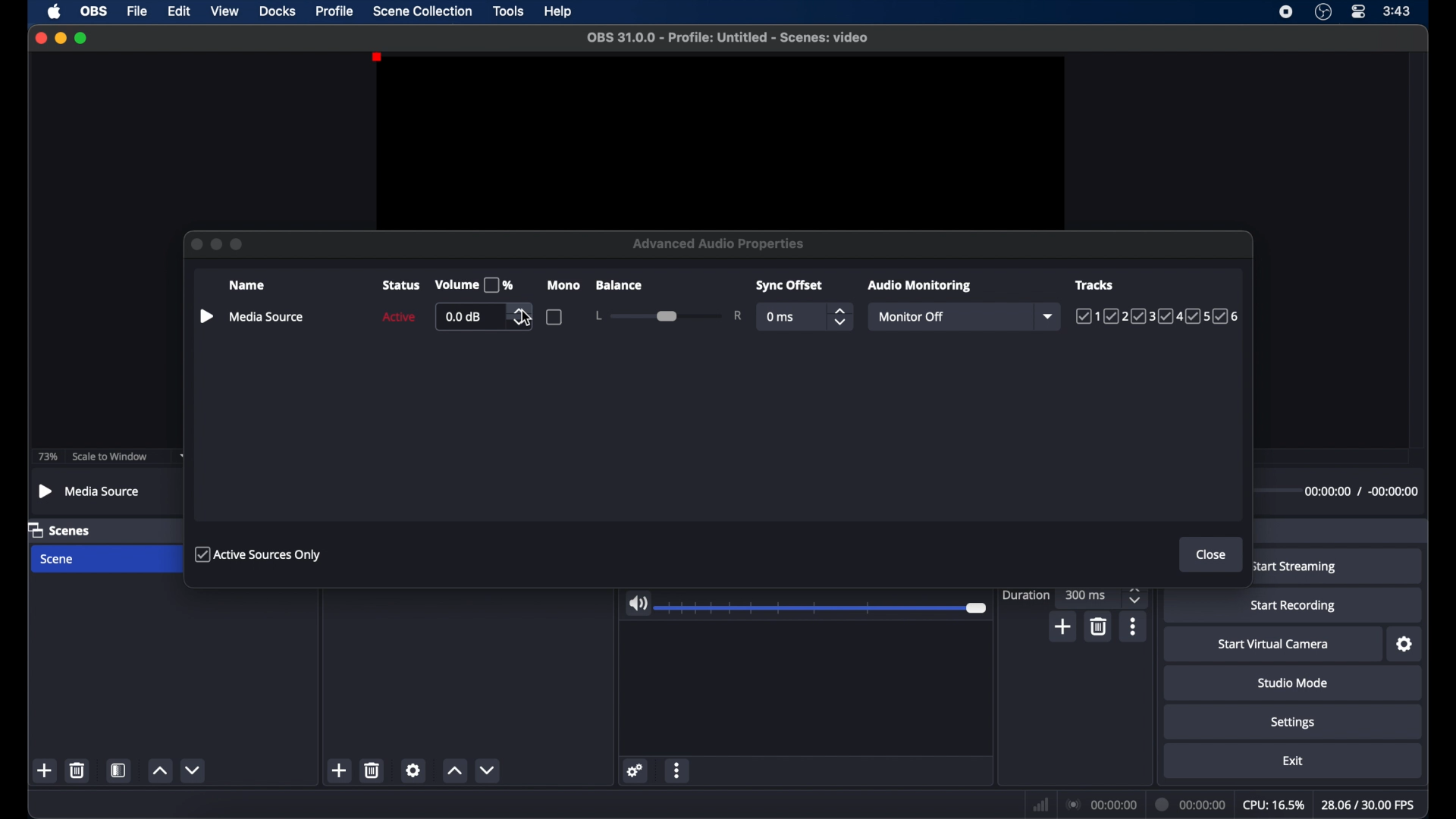  I want to click on delete, so click(77, 770).